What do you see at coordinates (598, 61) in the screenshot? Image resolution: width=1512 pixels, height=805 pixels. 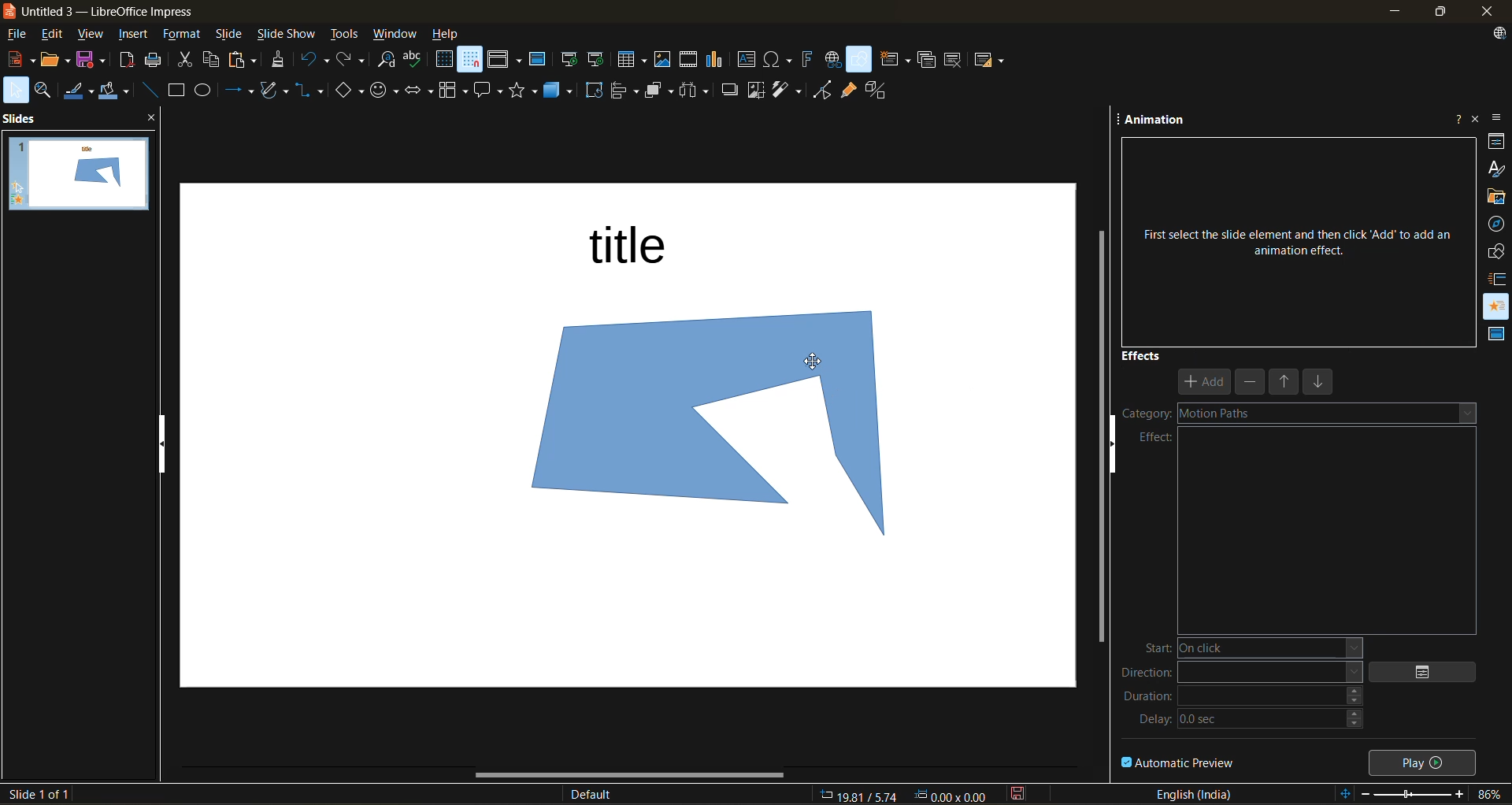 I see `start from current slide` at bounding box center [598, 61].